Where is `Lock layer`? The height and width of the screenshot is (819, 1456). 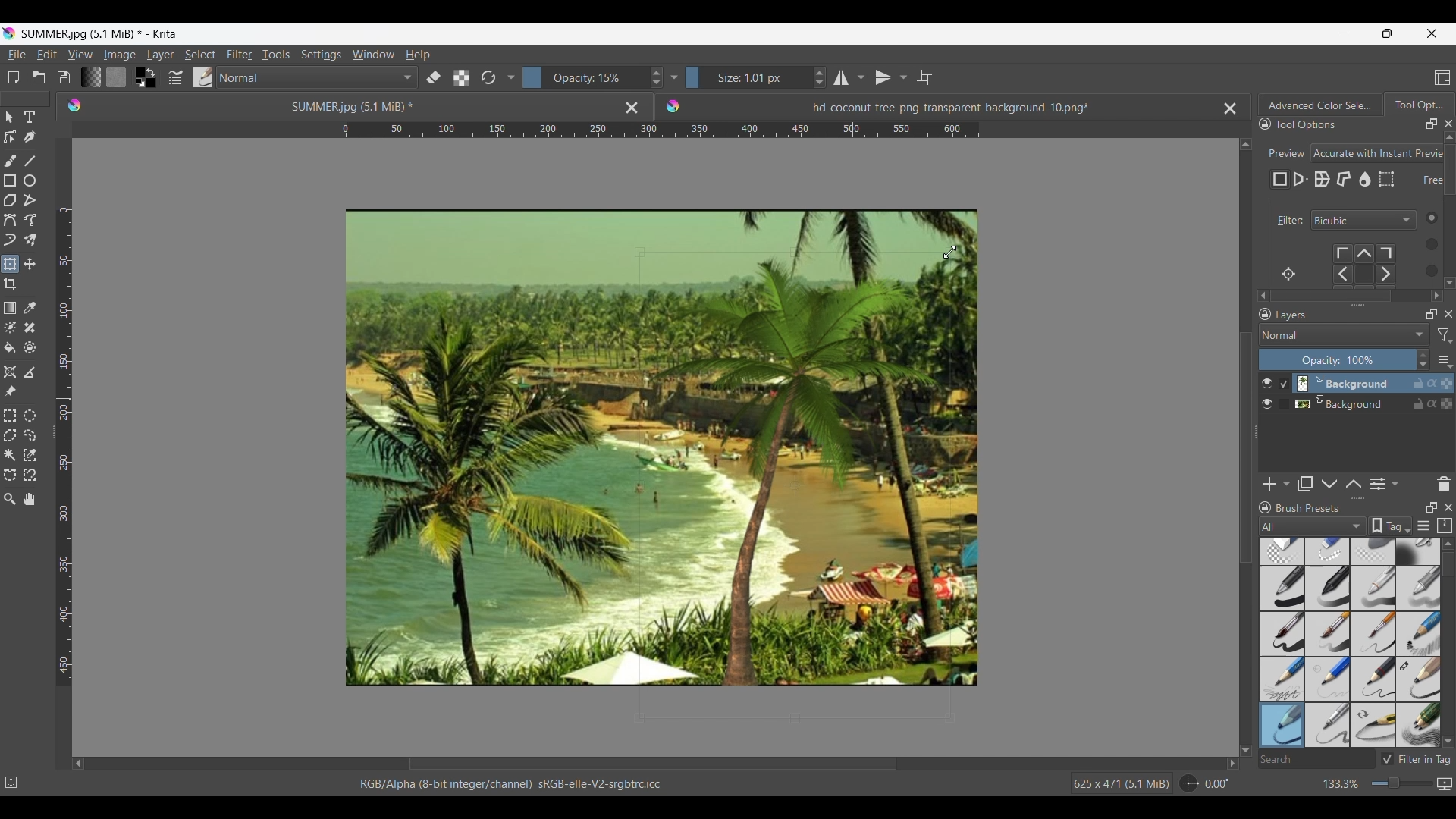 Lock layer is located at coordinates (1418, 383).